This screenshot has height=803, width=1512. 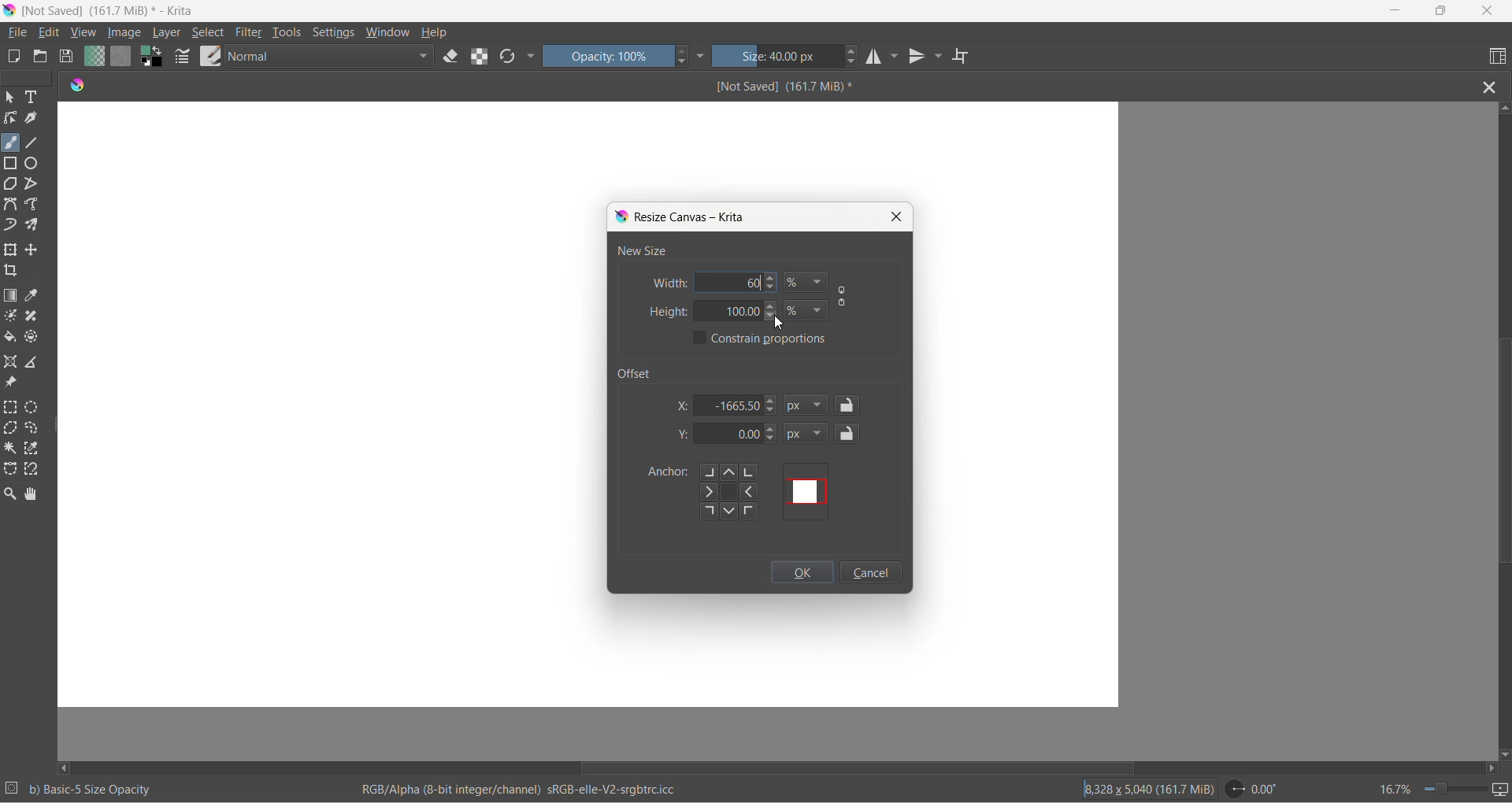 What do you see at coordinates (870, 574) in the screenshot?
I see `cancel` at bounding box center [870, 574].